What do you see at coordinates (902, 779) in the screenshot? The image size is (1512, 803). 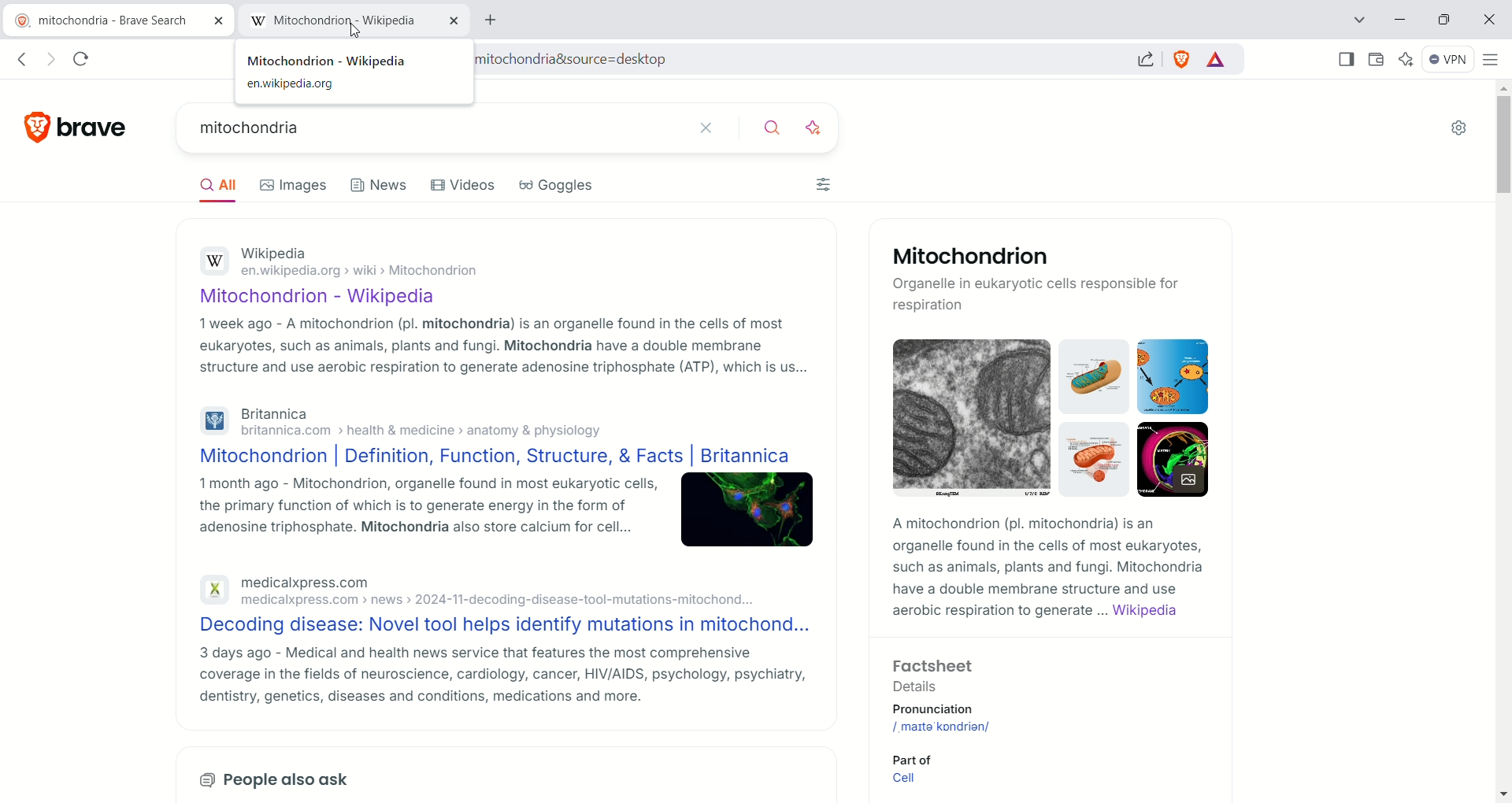 I see `Cell link` at bounding box center [902, 779].